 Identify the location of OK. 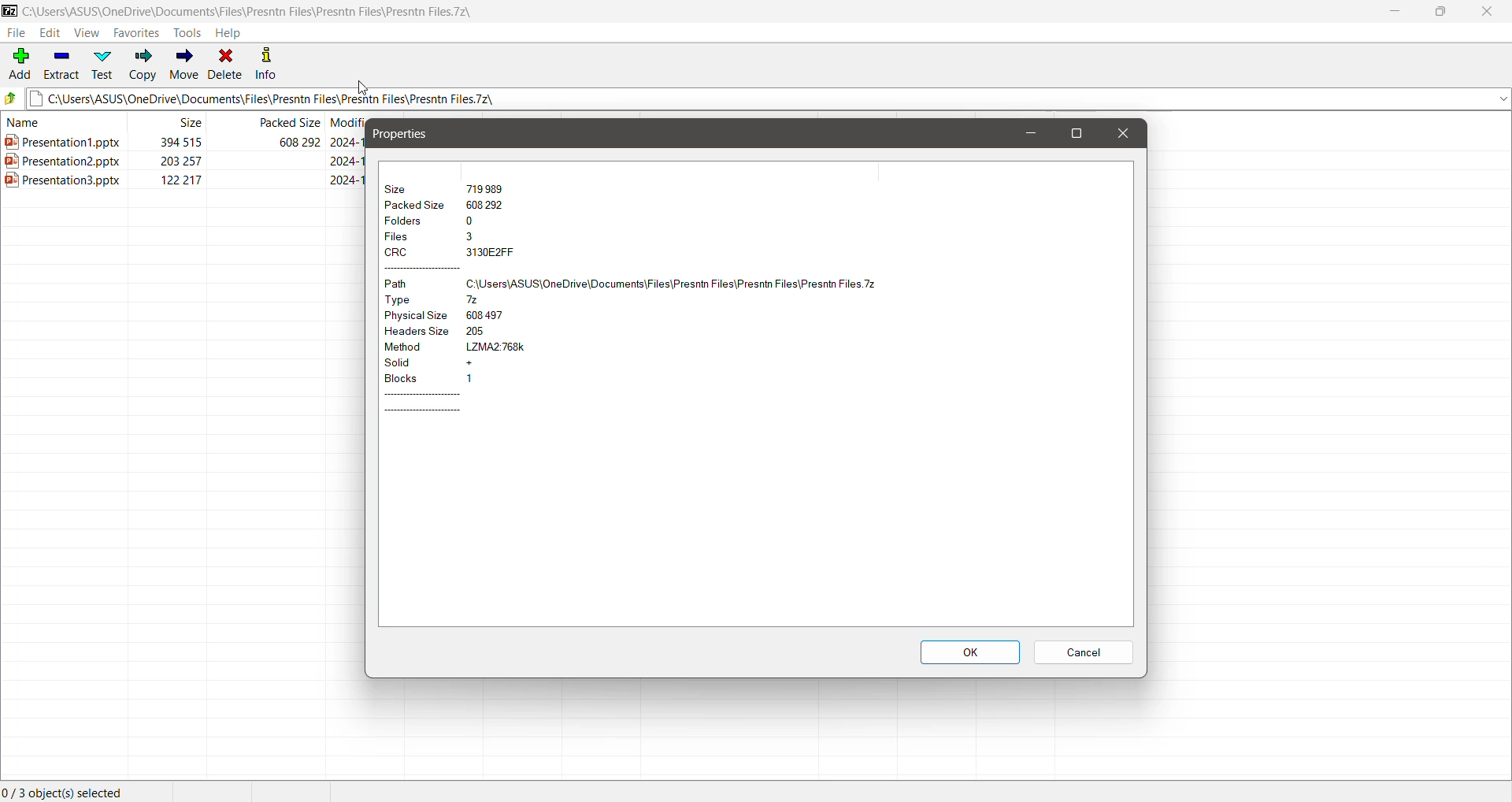
(969, 652).